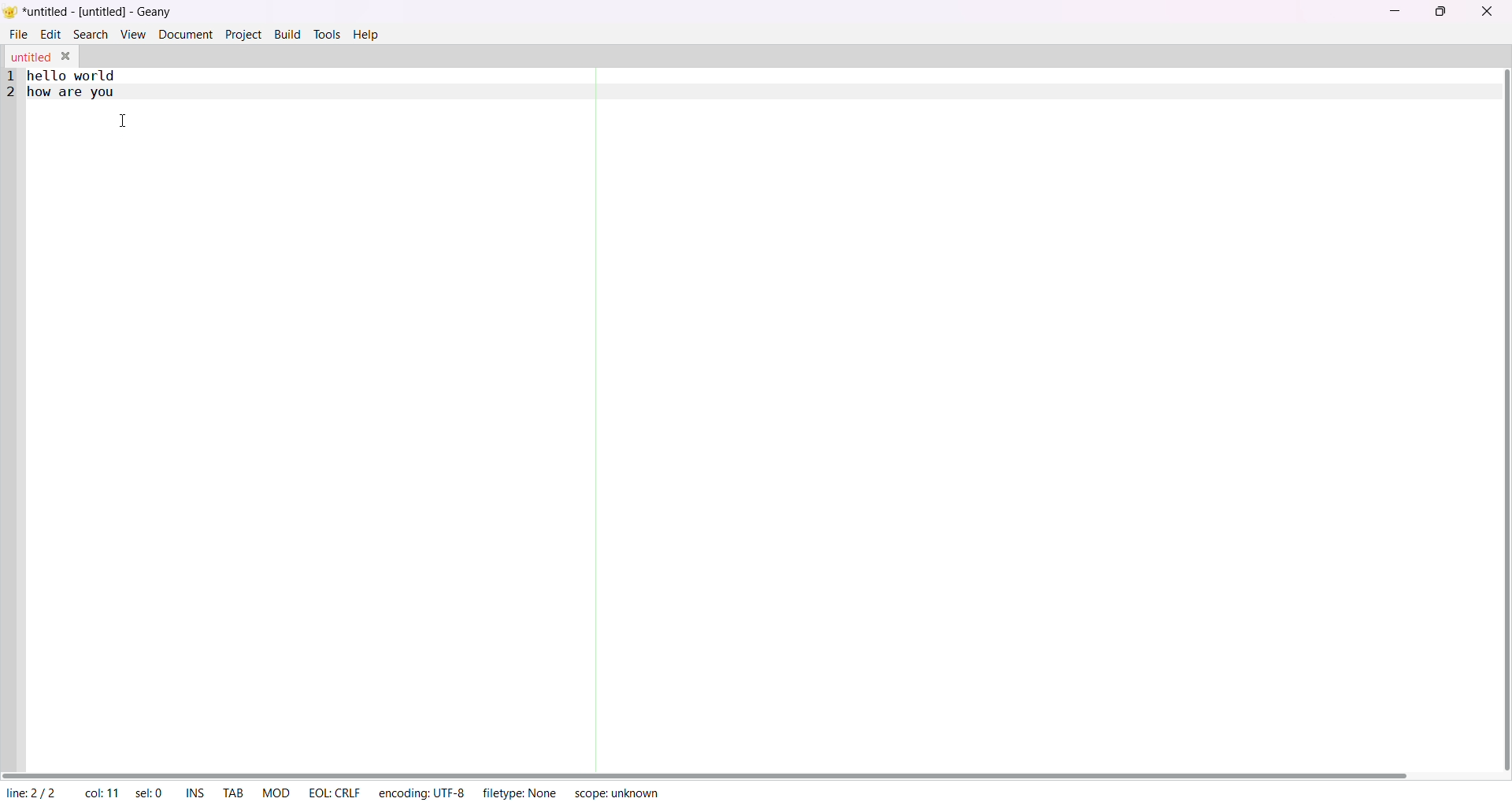 The height and width of the screenshot is (802, 1512). Describe the element at coordinates (285, 34) in the screenshot. I see `build` at that location.